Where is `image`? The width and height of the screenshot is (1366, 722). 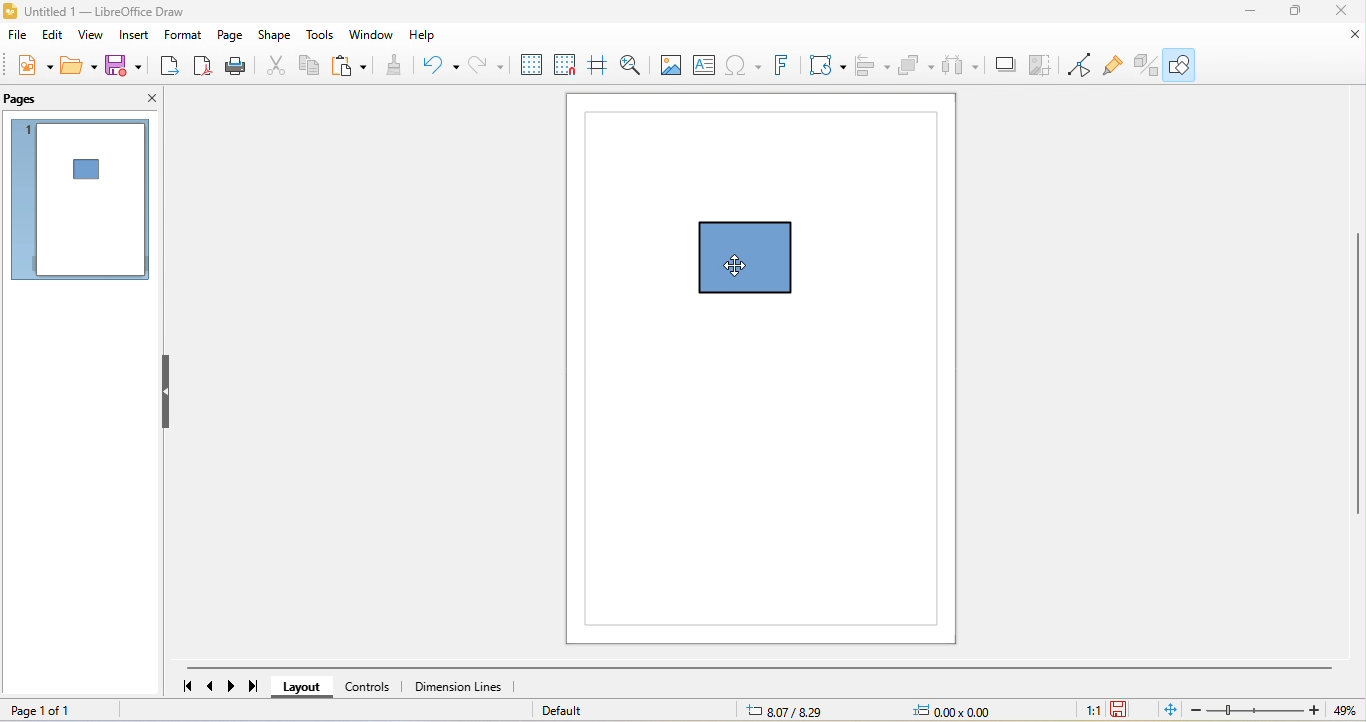 image is located at coordinates (670, 64).